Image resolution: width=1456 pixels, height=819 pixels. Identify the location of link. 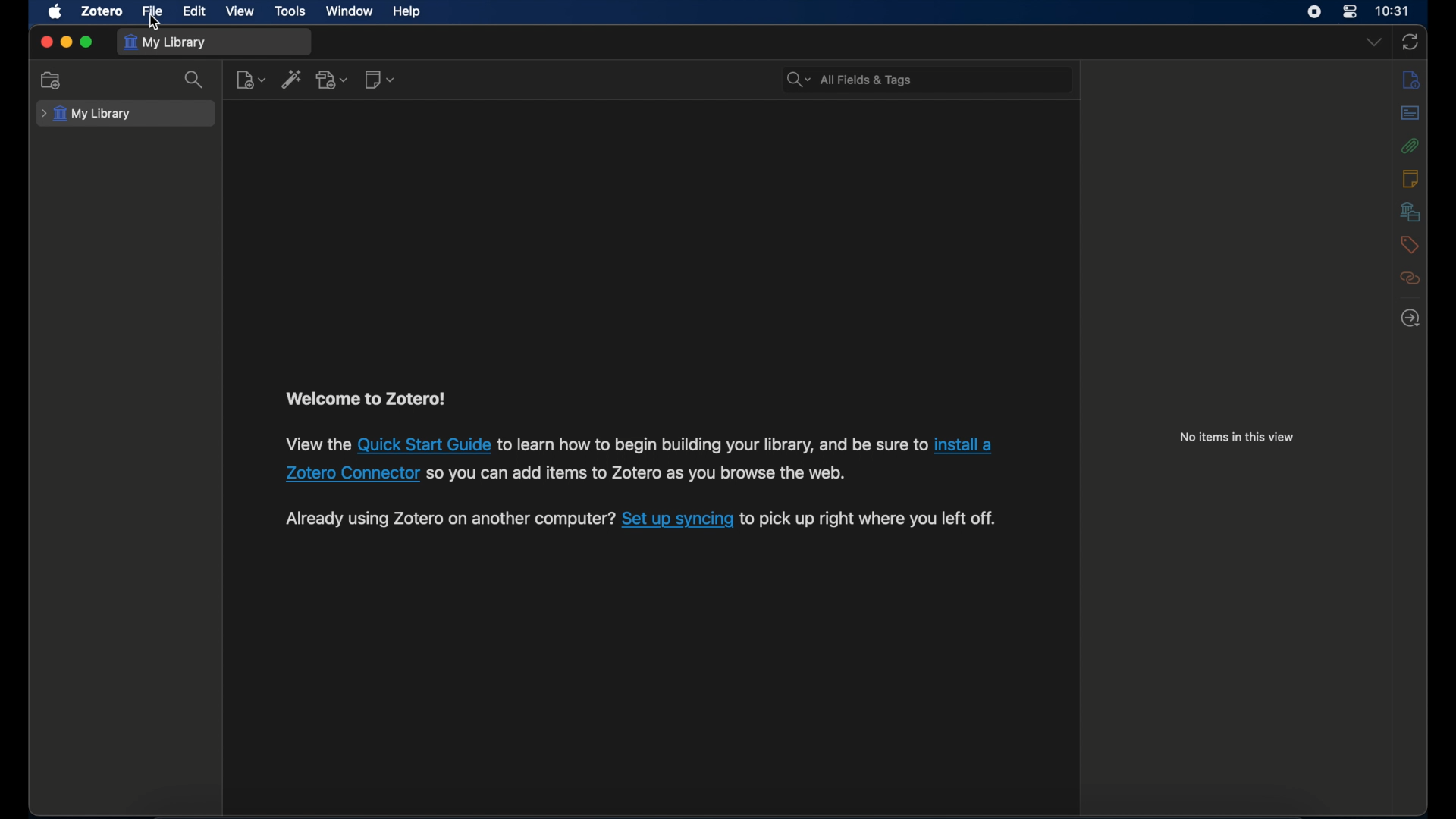
(351, 475).